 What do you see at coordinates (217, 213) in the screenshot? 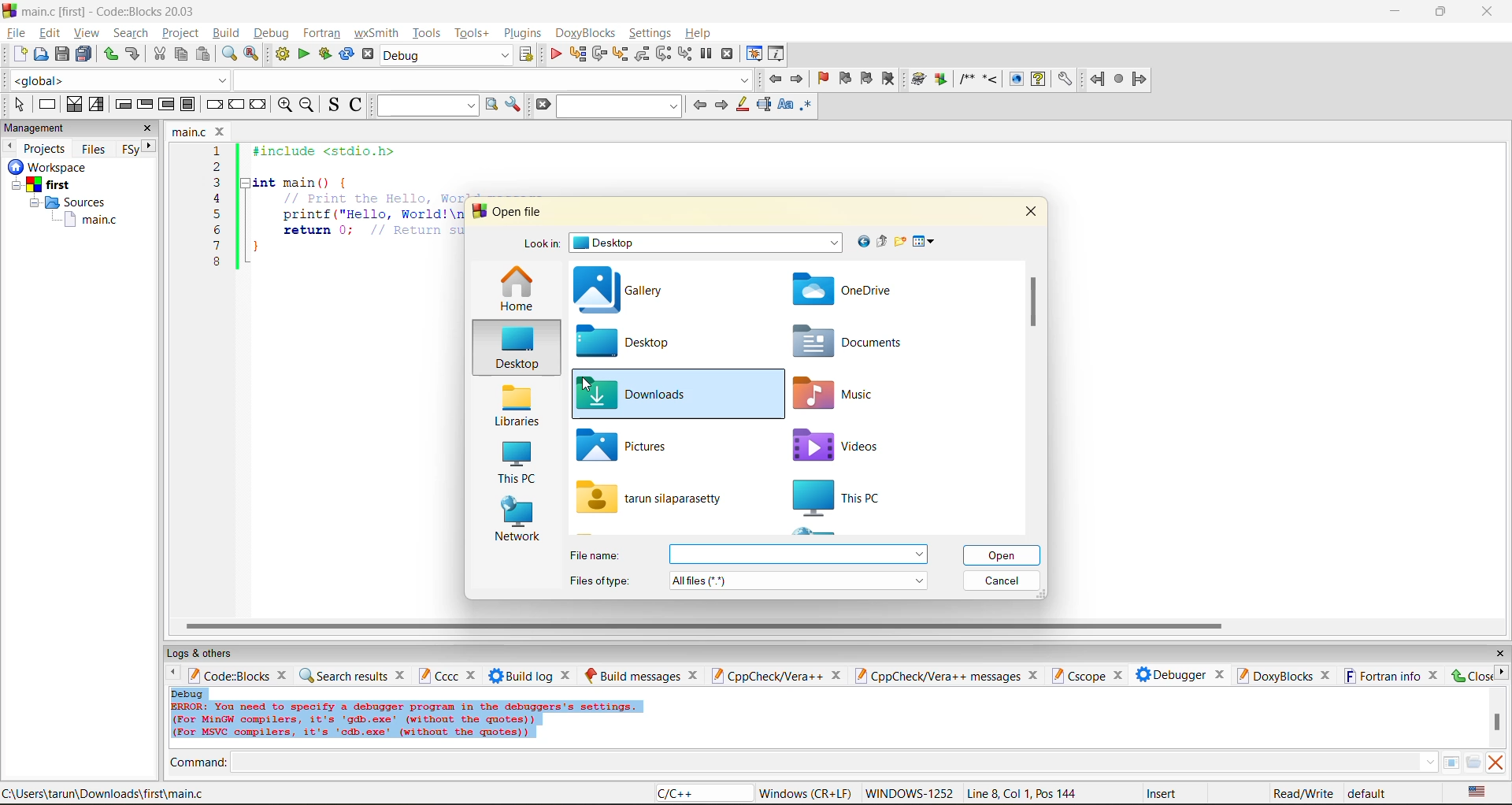
I see `5` at bounding box center [217, 213].